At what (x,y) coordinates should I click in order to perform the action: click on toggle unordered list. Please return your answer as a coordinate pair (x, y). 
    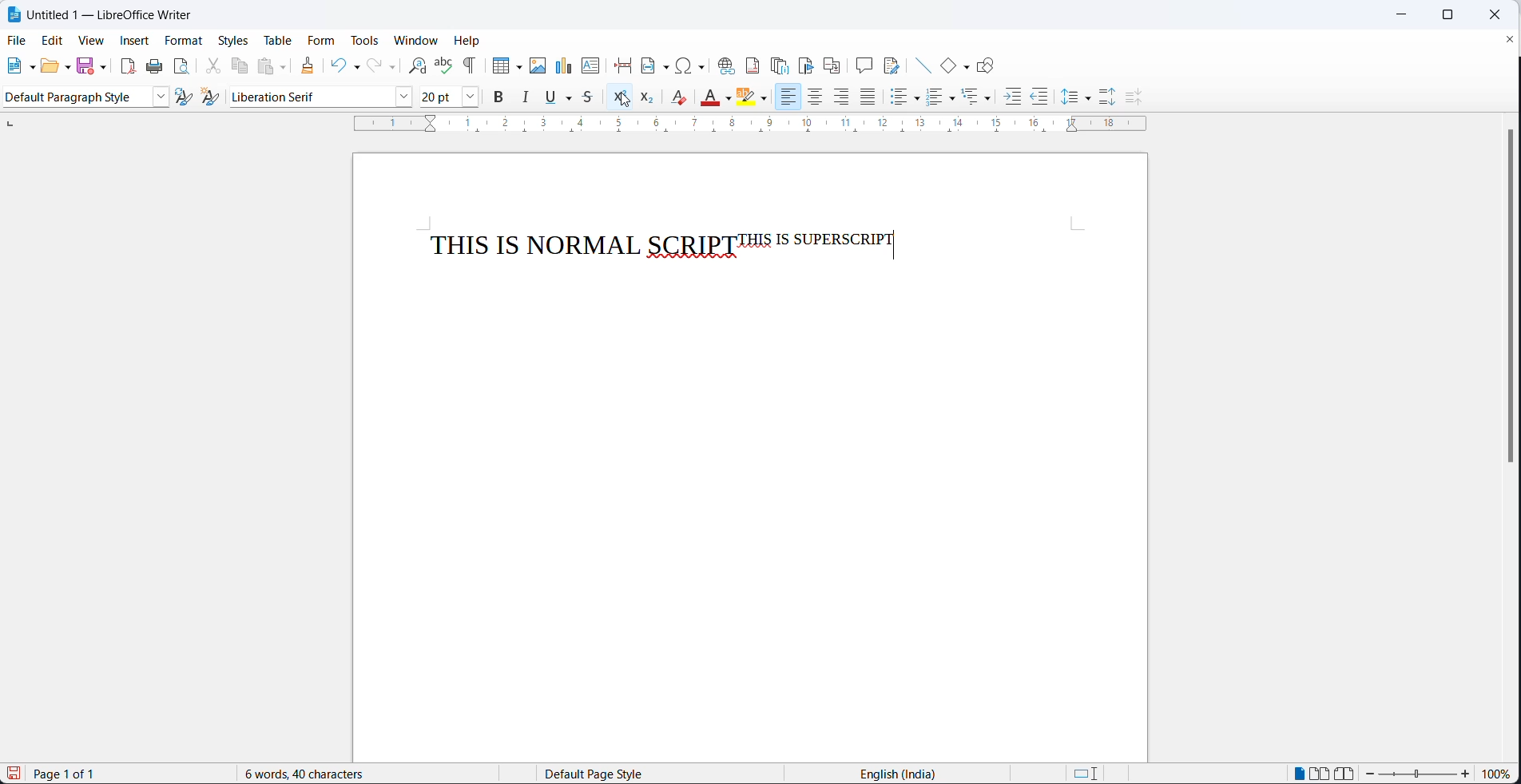
    Looking at the image, I should click on (897, 100).